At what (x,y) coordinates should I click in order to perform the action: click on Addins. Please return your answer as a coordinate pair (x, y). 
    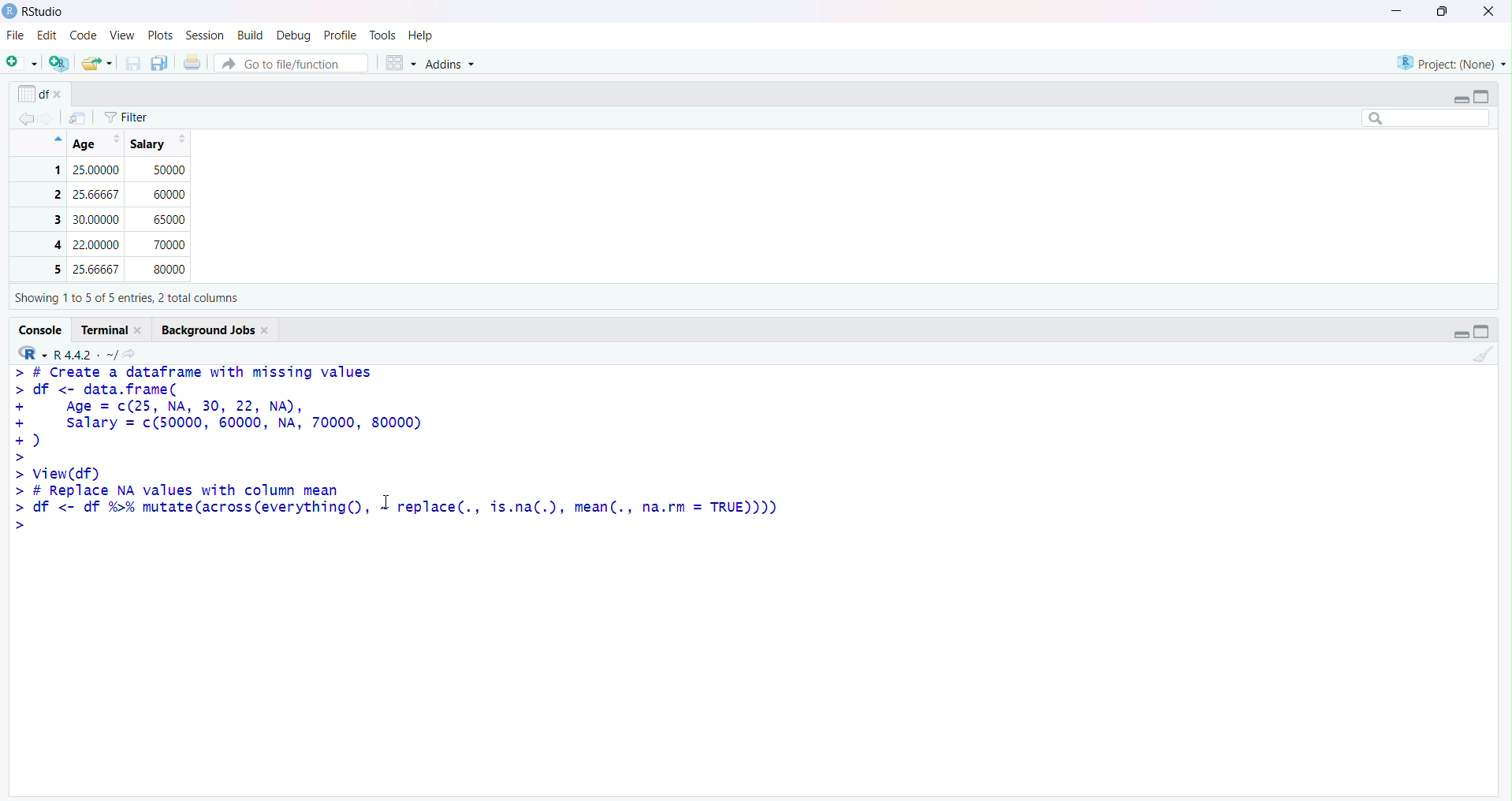
    Looking at the image, I should click on (450, 61).